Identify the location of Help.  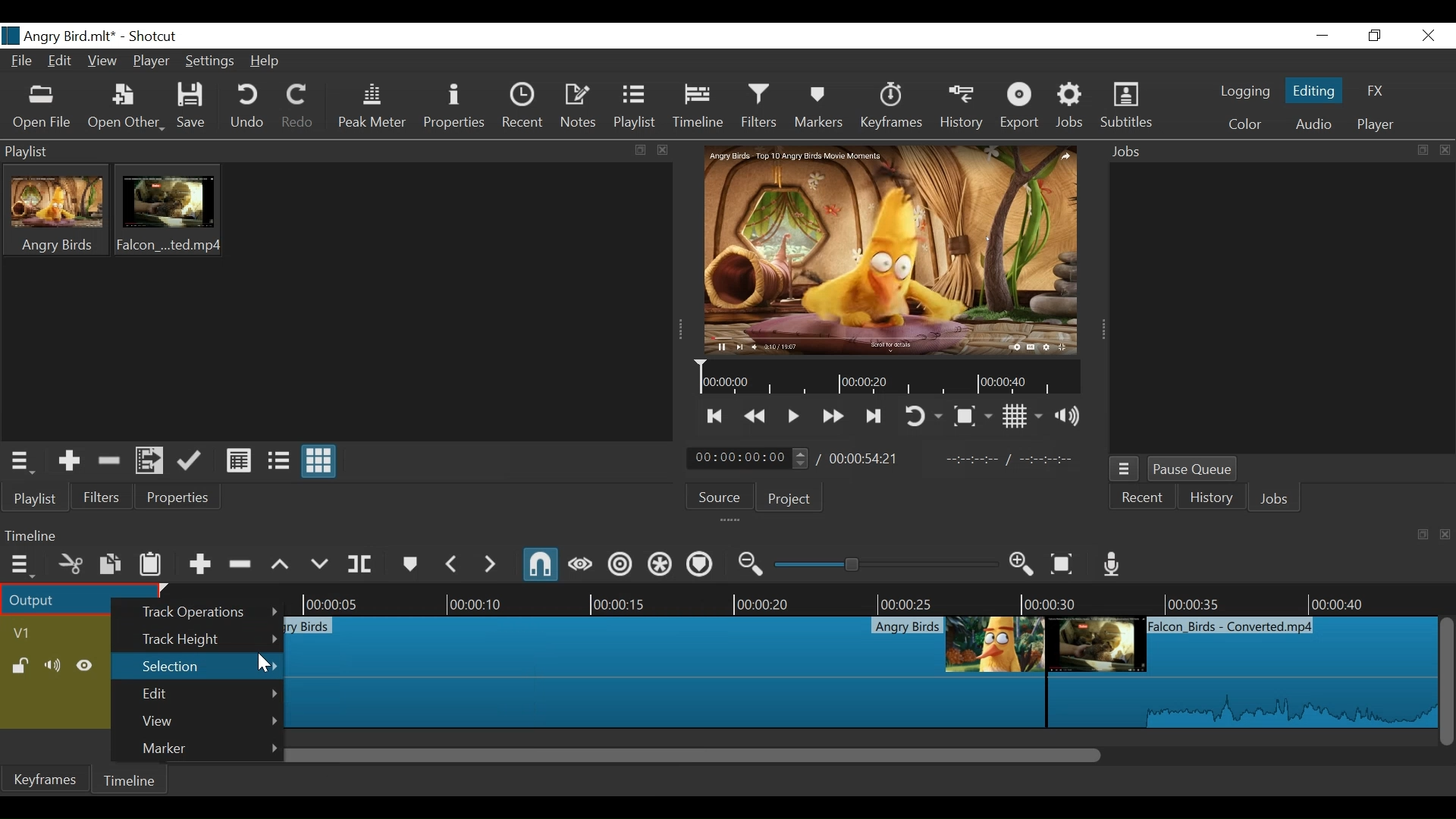
(265, 62).